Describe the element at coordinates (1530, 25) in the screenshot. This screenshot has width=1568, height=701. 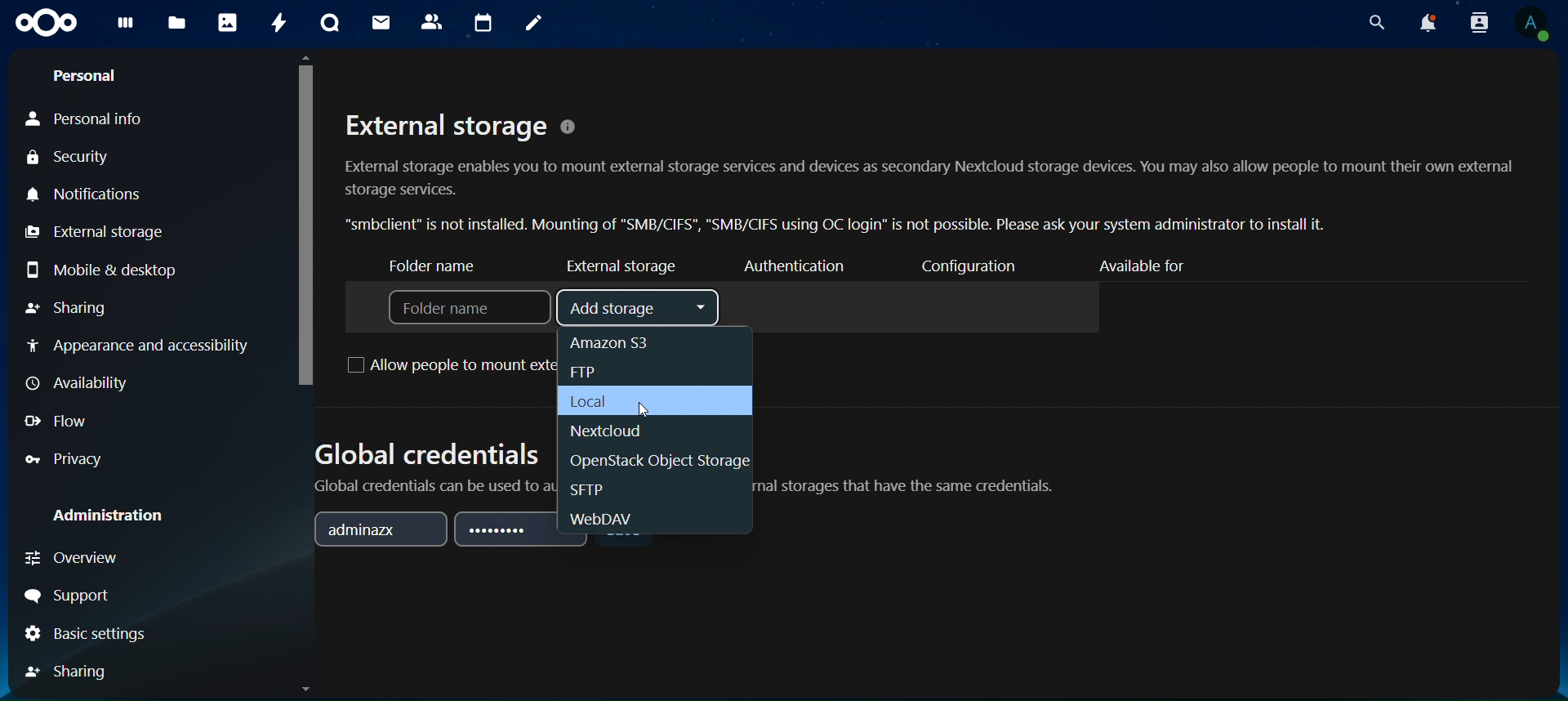
I see `view profile` at that location.